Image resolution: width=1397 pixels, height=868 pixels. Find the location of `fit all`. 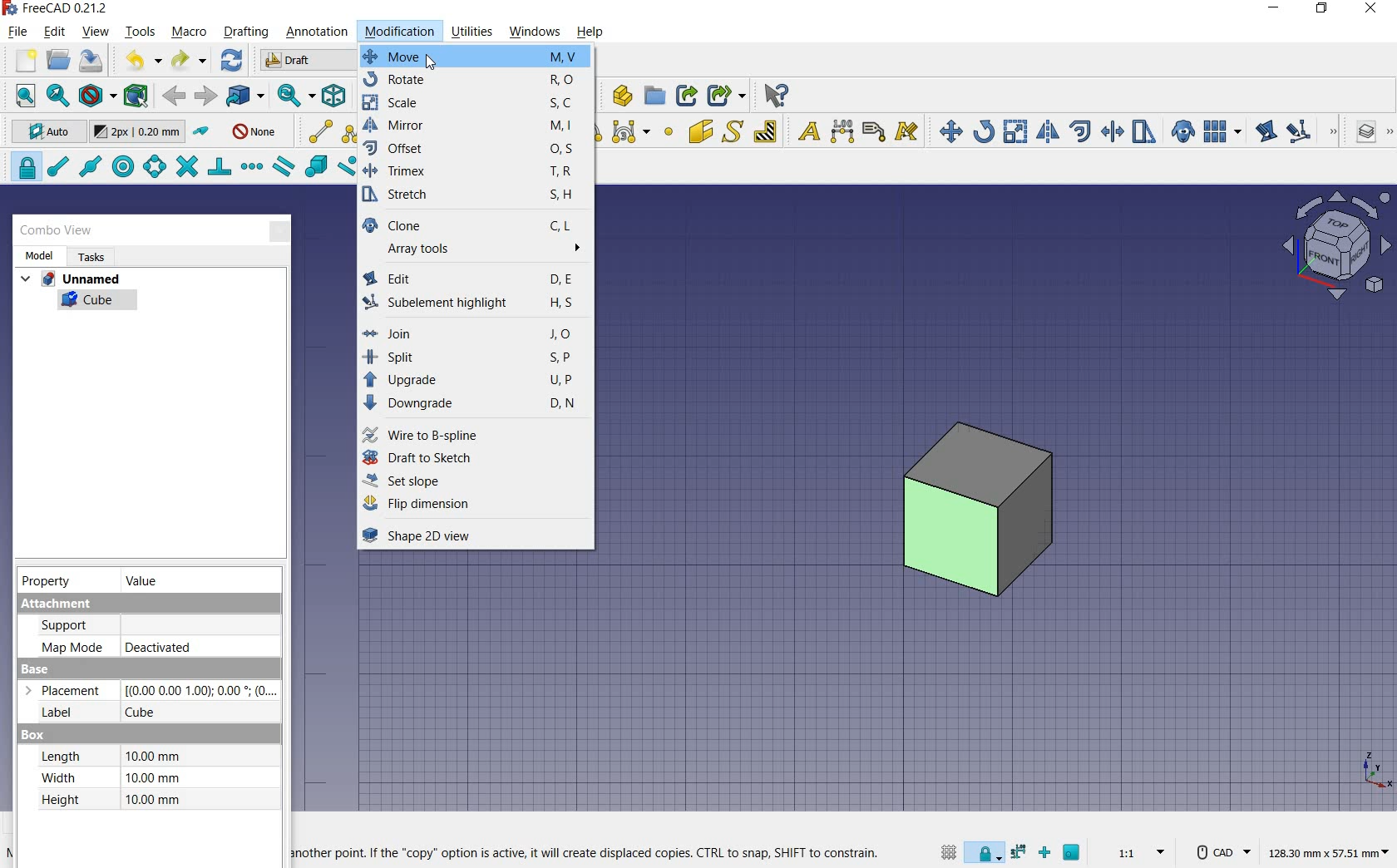

fit all is located at coordinates (20, 96).